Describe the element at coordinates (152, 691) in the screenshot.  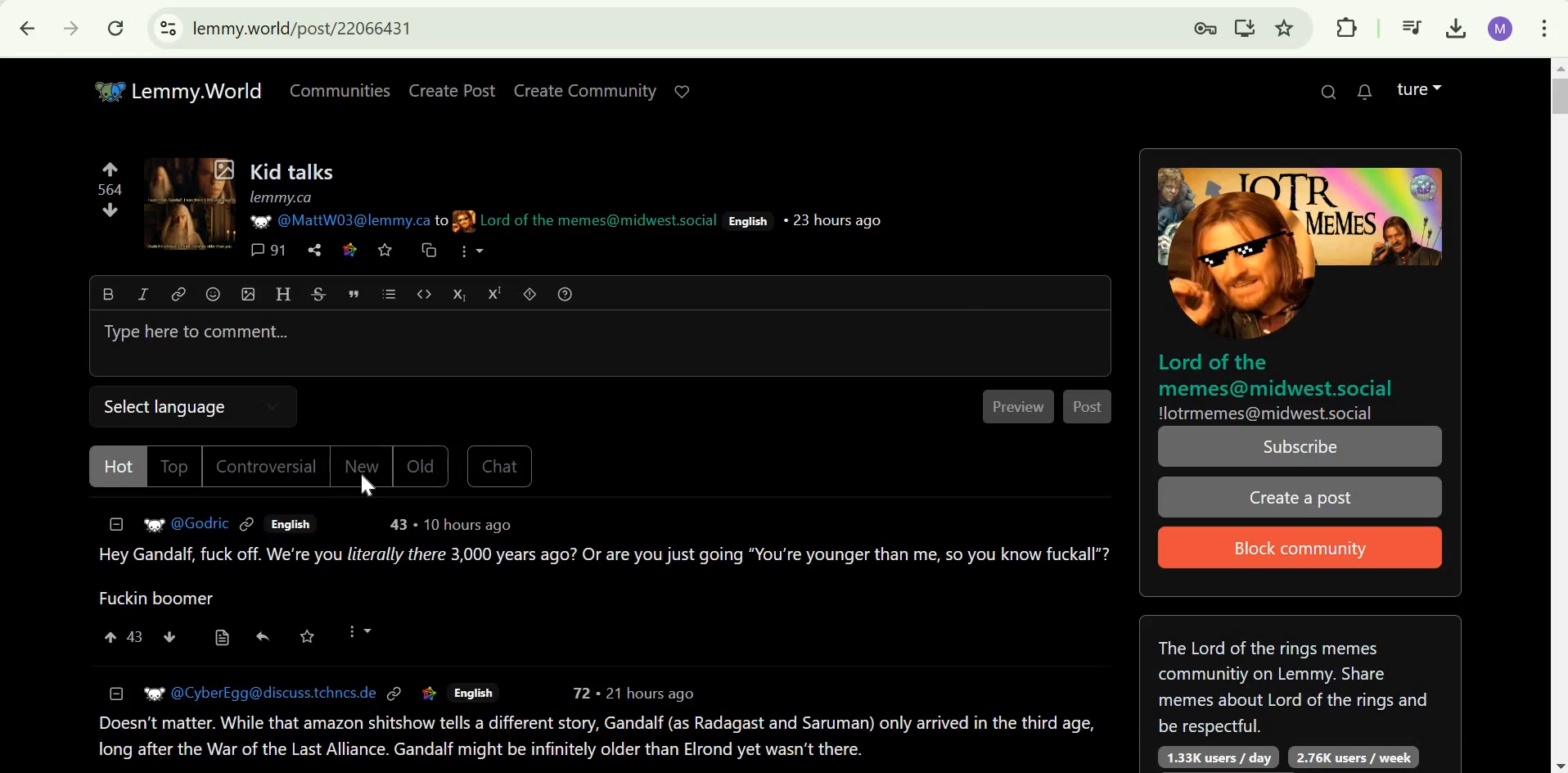
I see `picture` at that location.